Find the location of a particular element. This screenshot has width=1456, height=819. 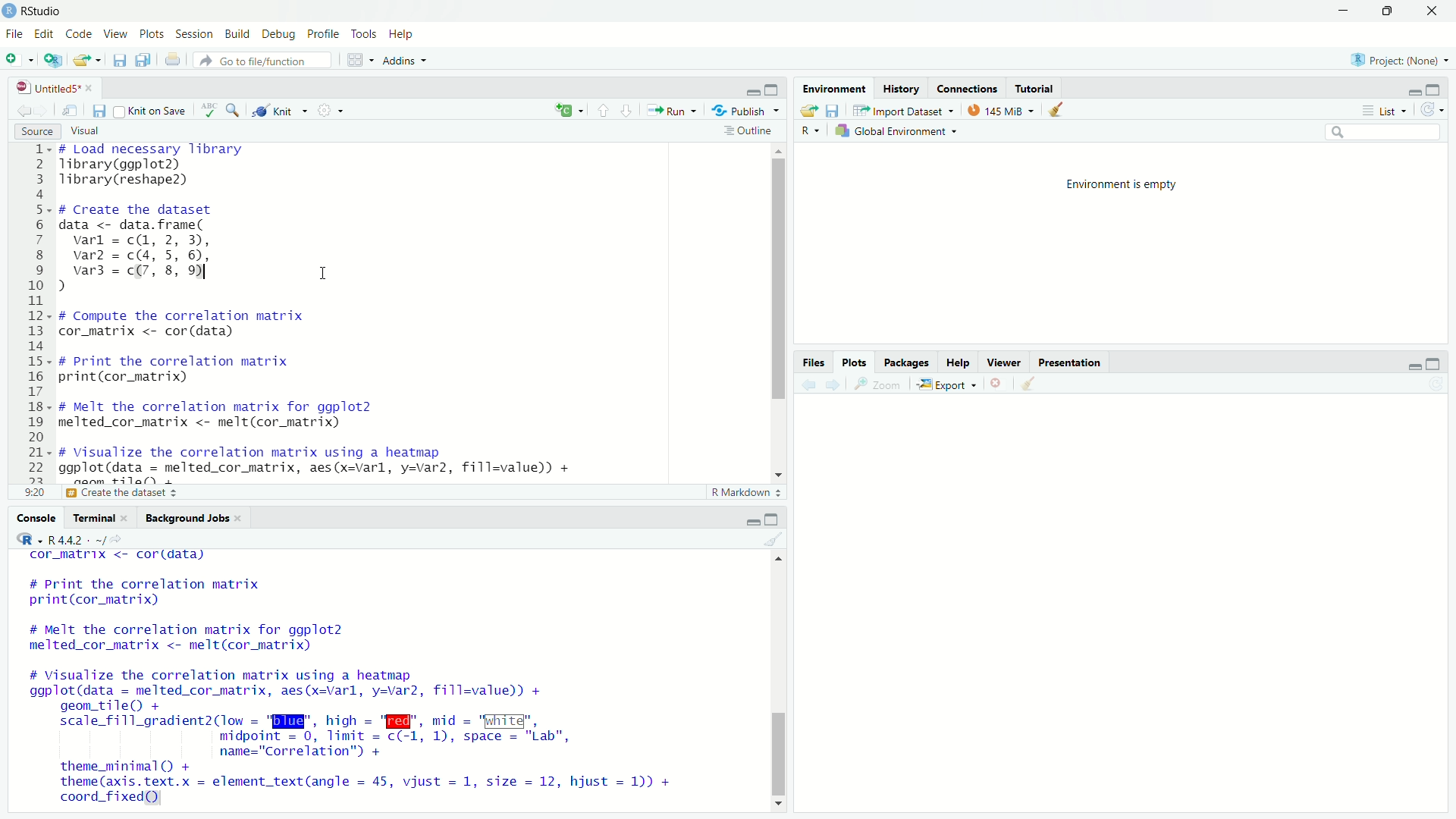

knit is located at coordinates (275, 111).